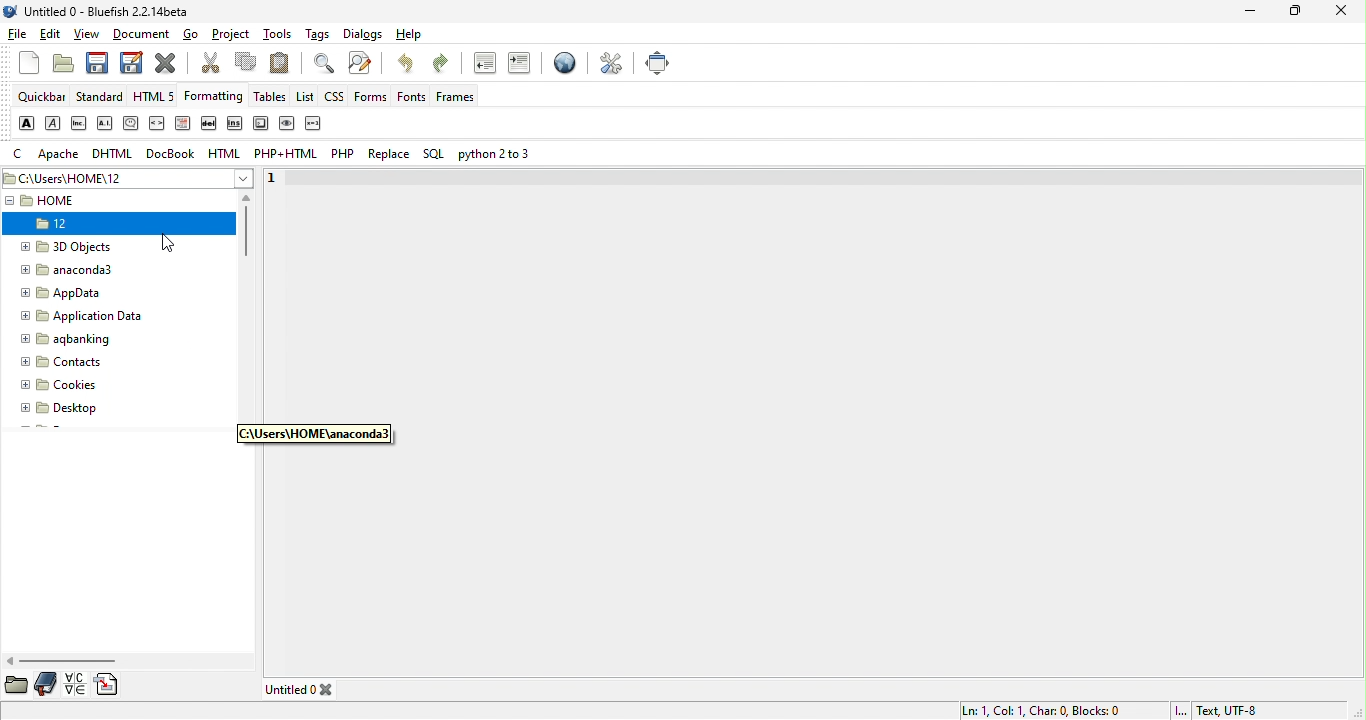 This screenshot has width=1366, height=720. What do you see at coordinates (562, 65) in the screenshot?
I see `preview in browser` at bounding box center [562, 65].